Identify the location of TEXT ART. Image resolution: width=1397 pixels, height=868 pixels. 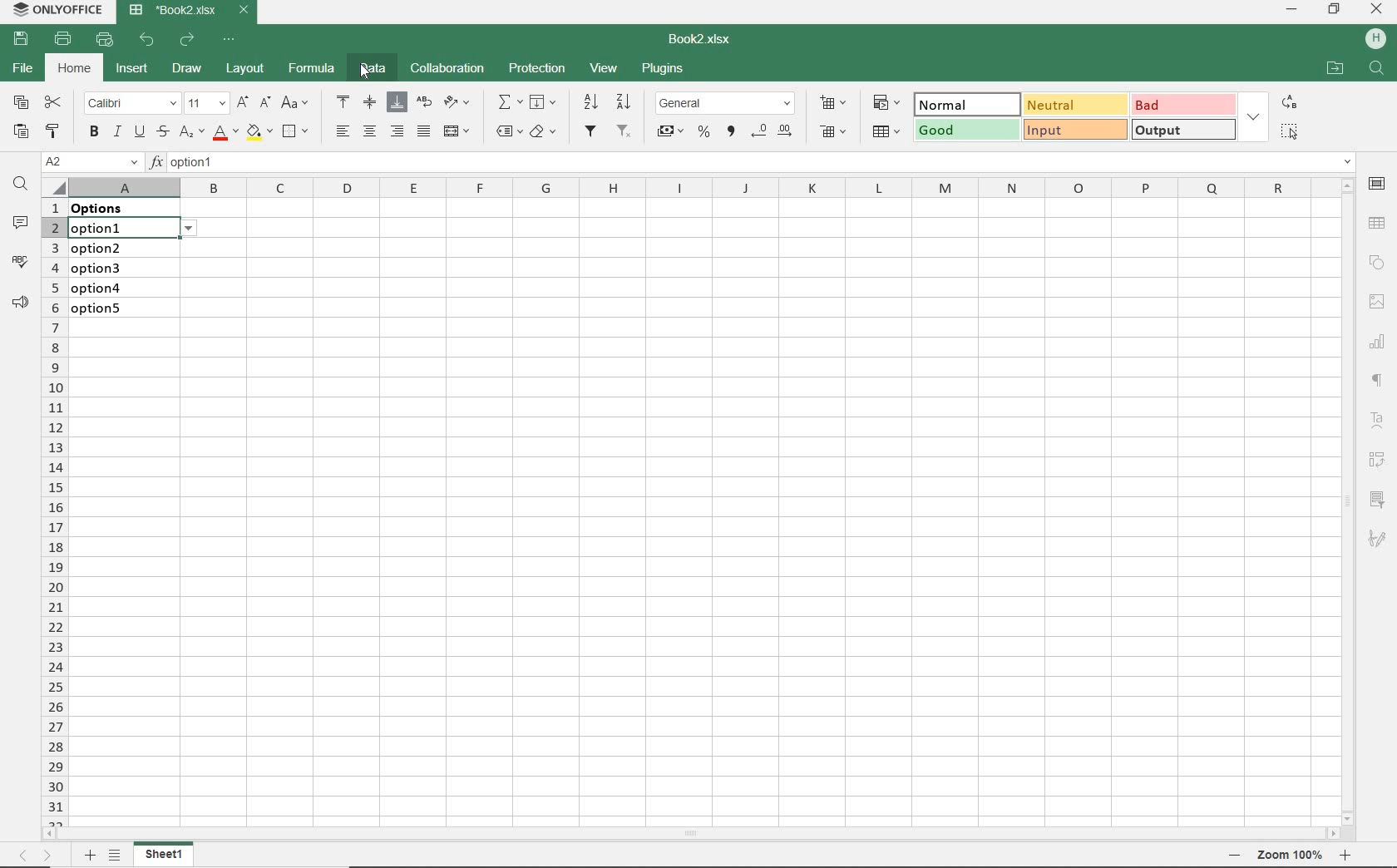
(1380, 422).